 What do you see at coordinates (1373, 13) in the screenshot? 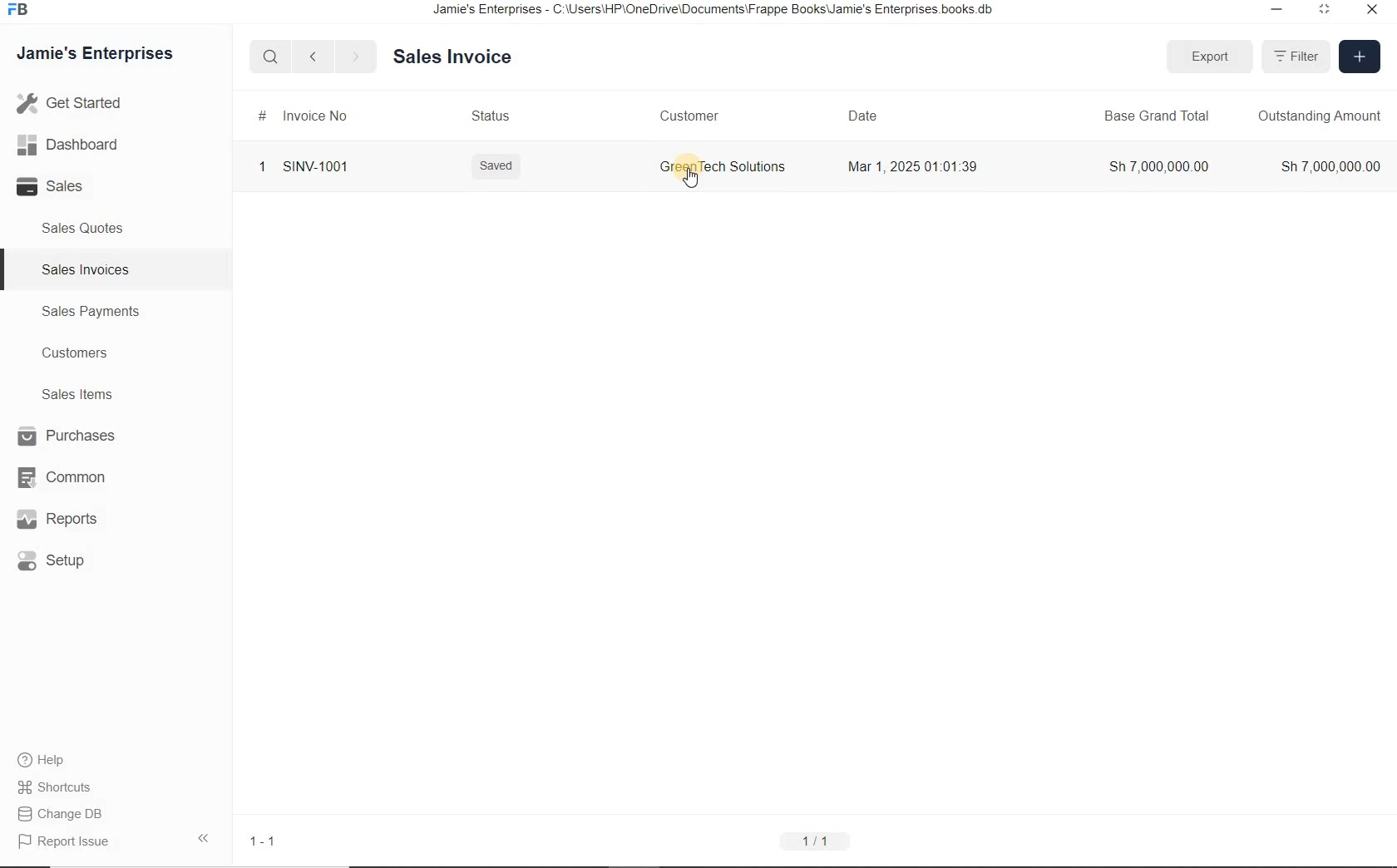
I see `close` at bounding box center [1373, 13].